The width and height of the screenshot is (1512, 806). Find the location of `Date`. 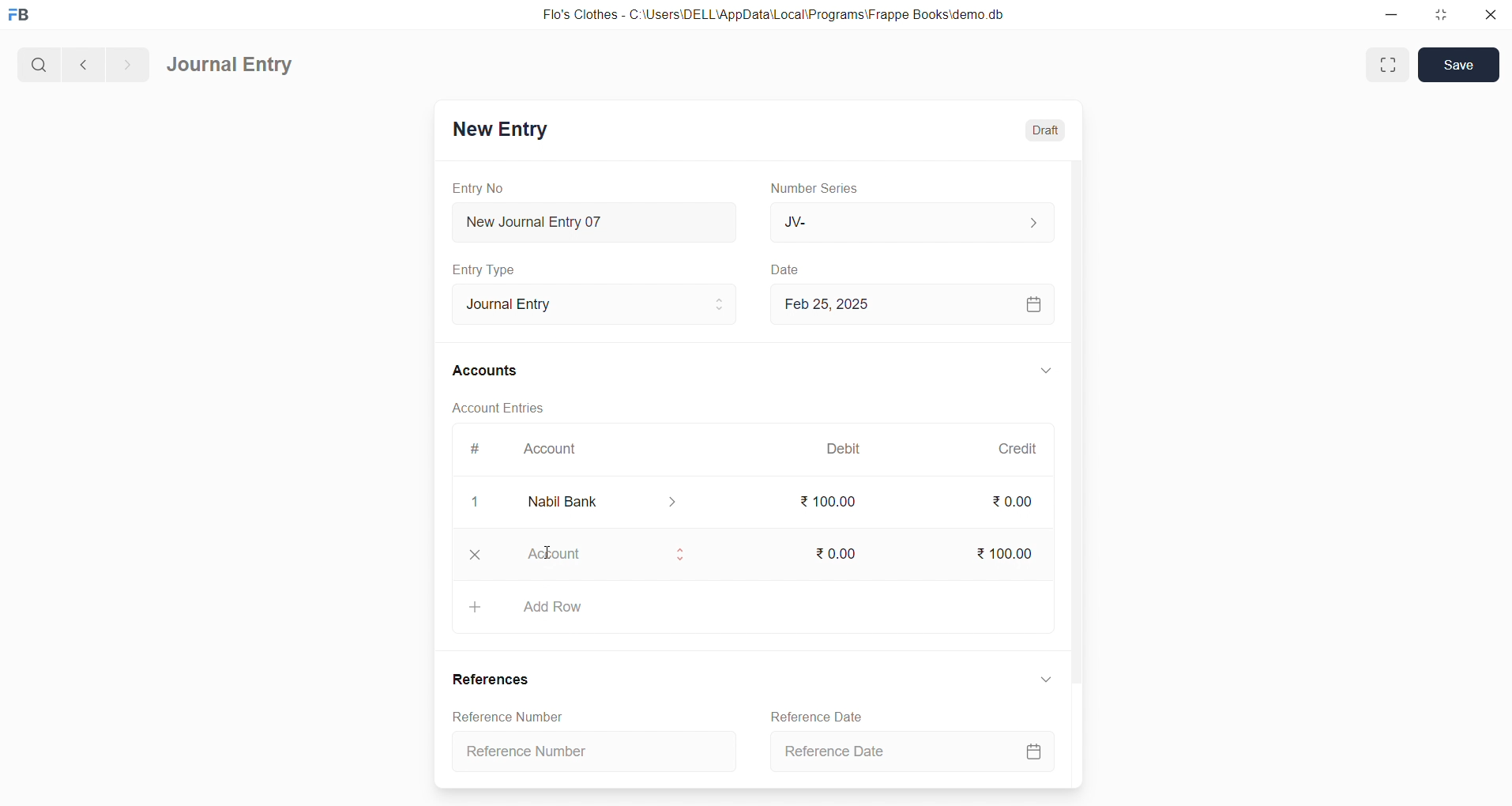

Date is located at coordinates (785, 269).